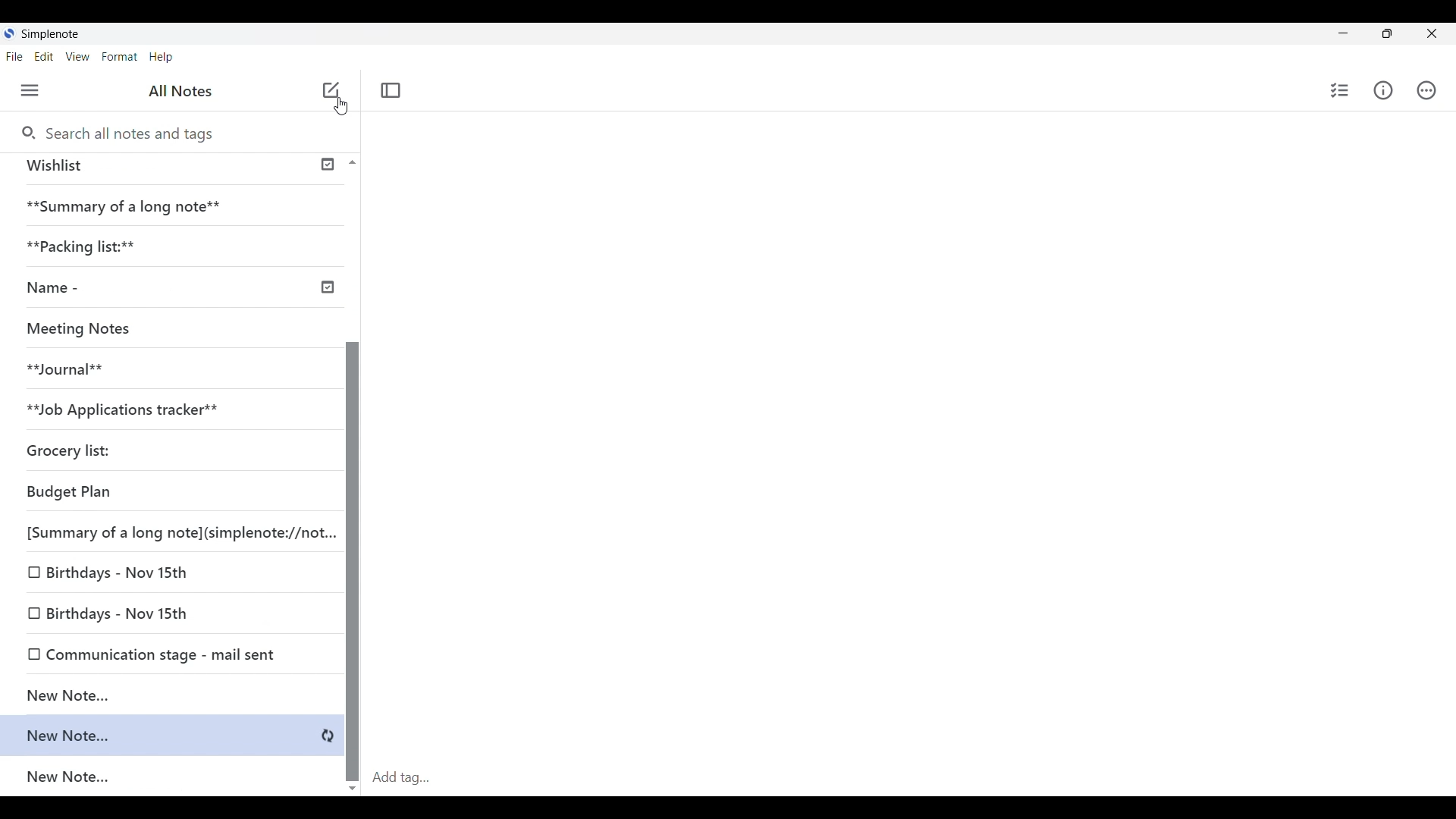 The image size is (1456, 819). What do you see at coordinates (330, 739) in the screenshot?
I see `syncing` at bounding box center [330, 739].